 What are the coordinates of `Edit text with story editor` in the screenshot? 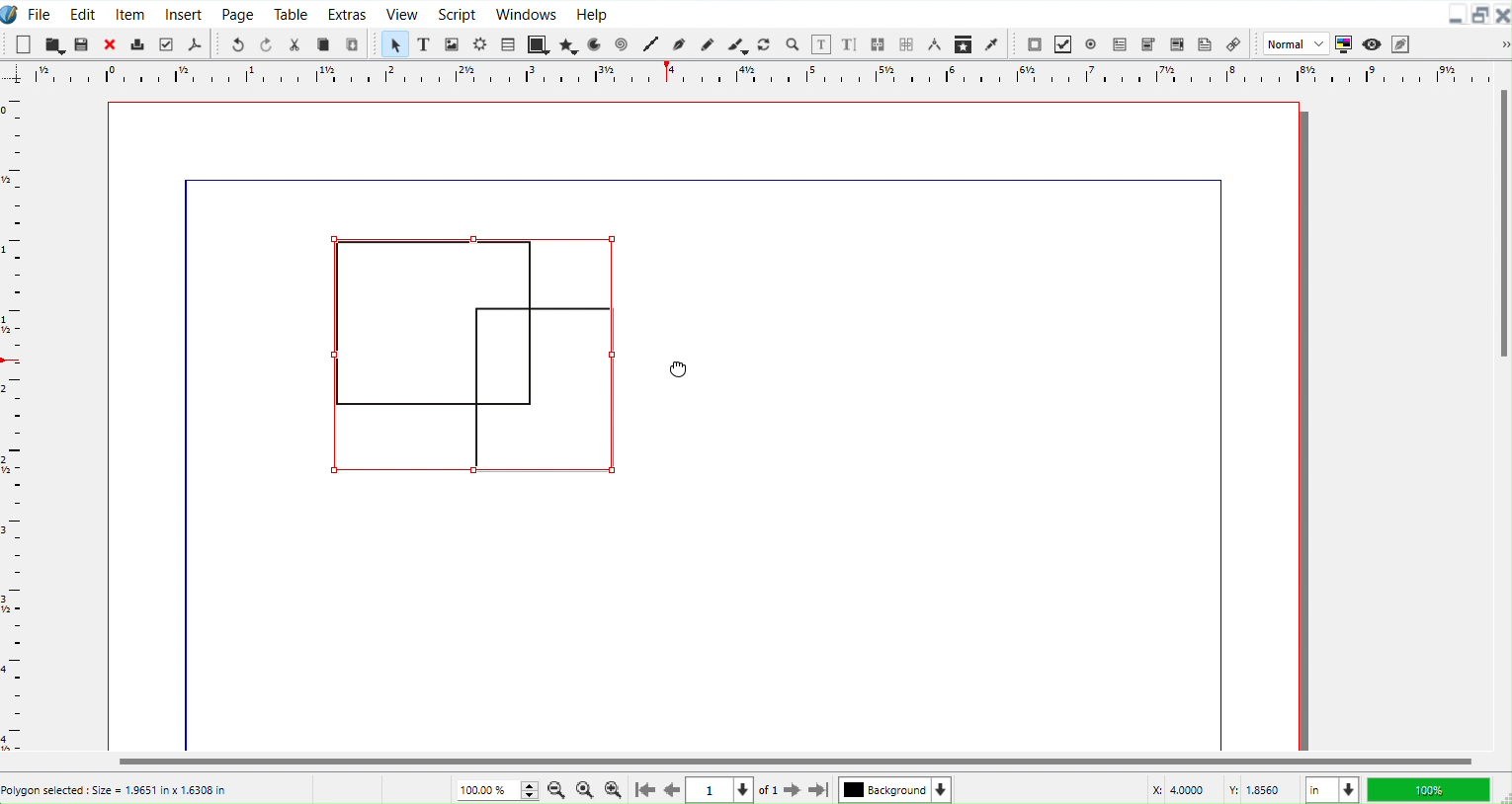 It's located at (851, 44).